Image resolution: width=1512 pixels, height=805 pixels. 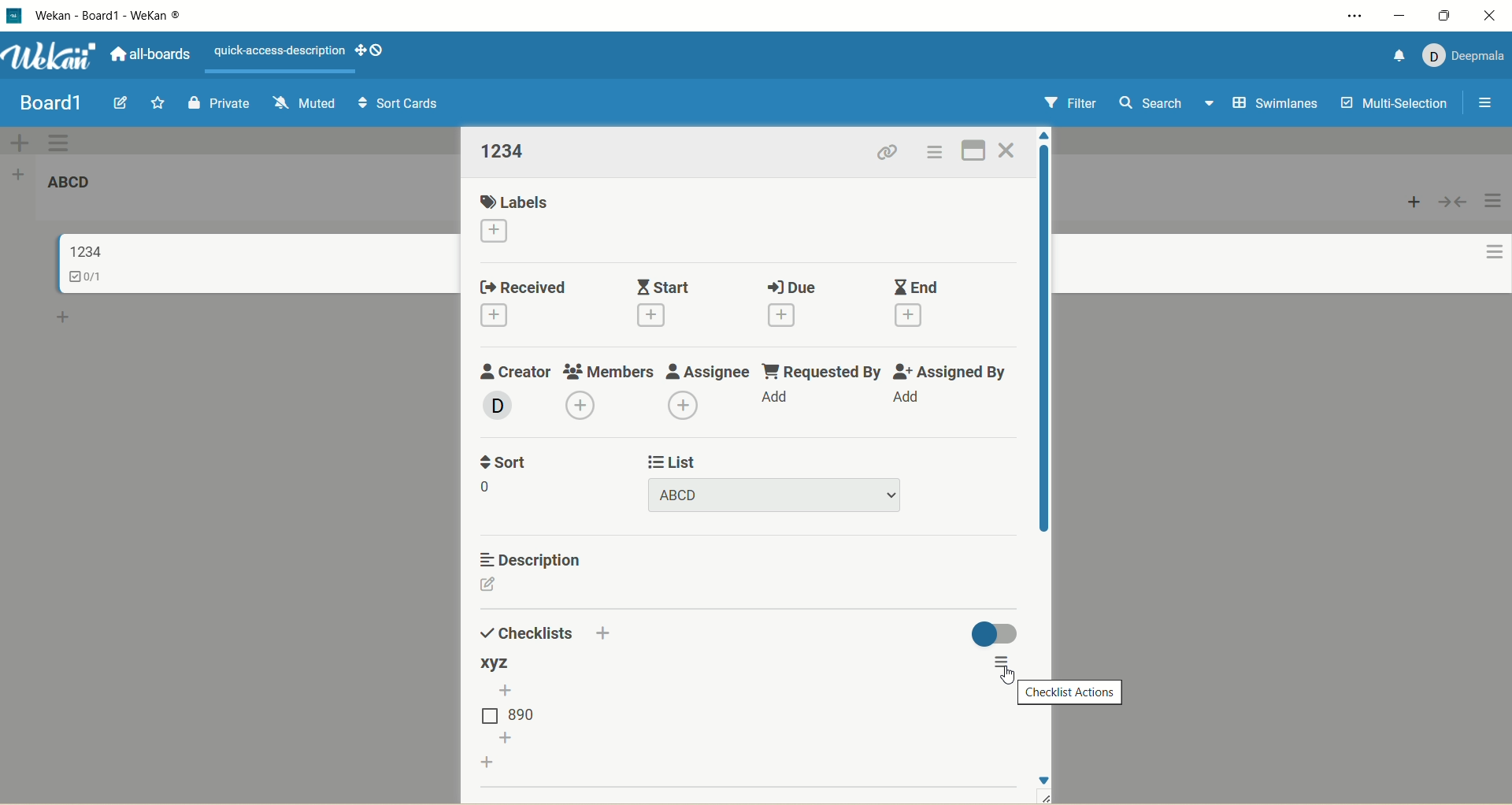 I want to click on list title, so click(x=505, y=151).